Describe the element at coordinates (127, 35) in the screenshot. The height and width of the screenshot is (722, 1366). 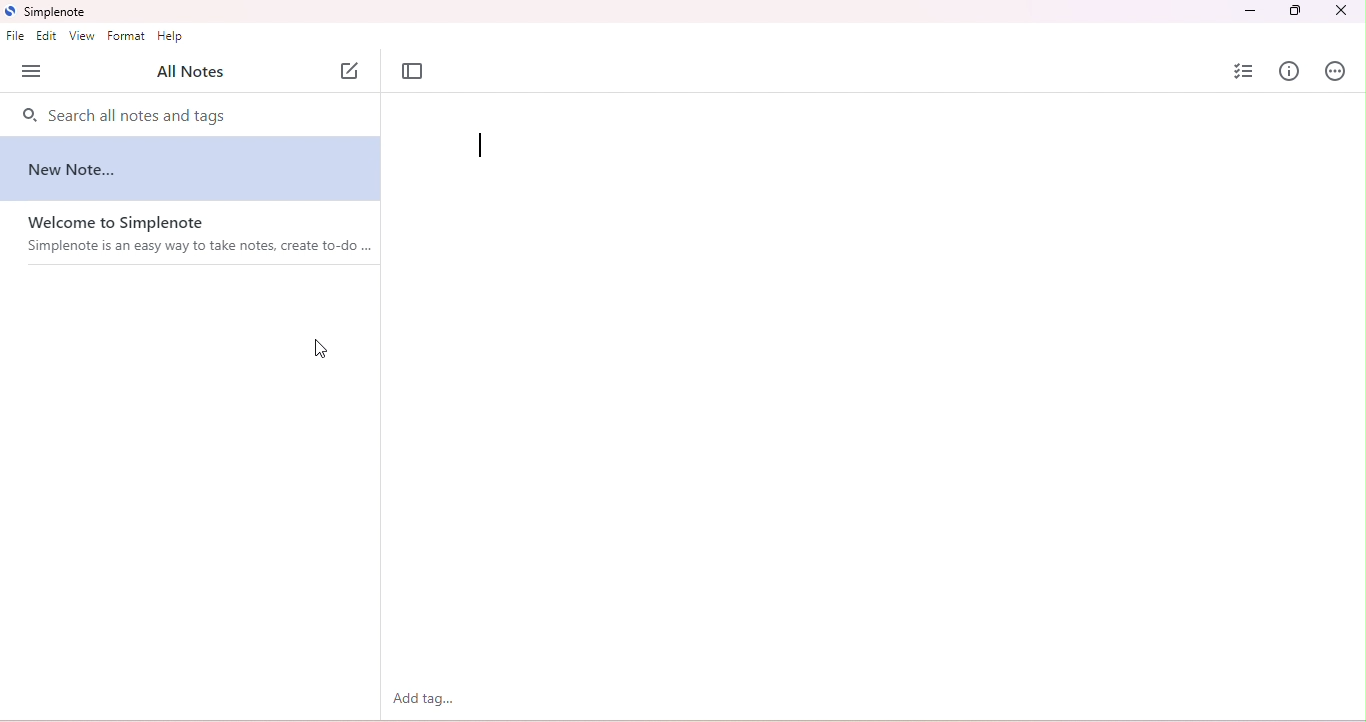
I see `format` at that location.